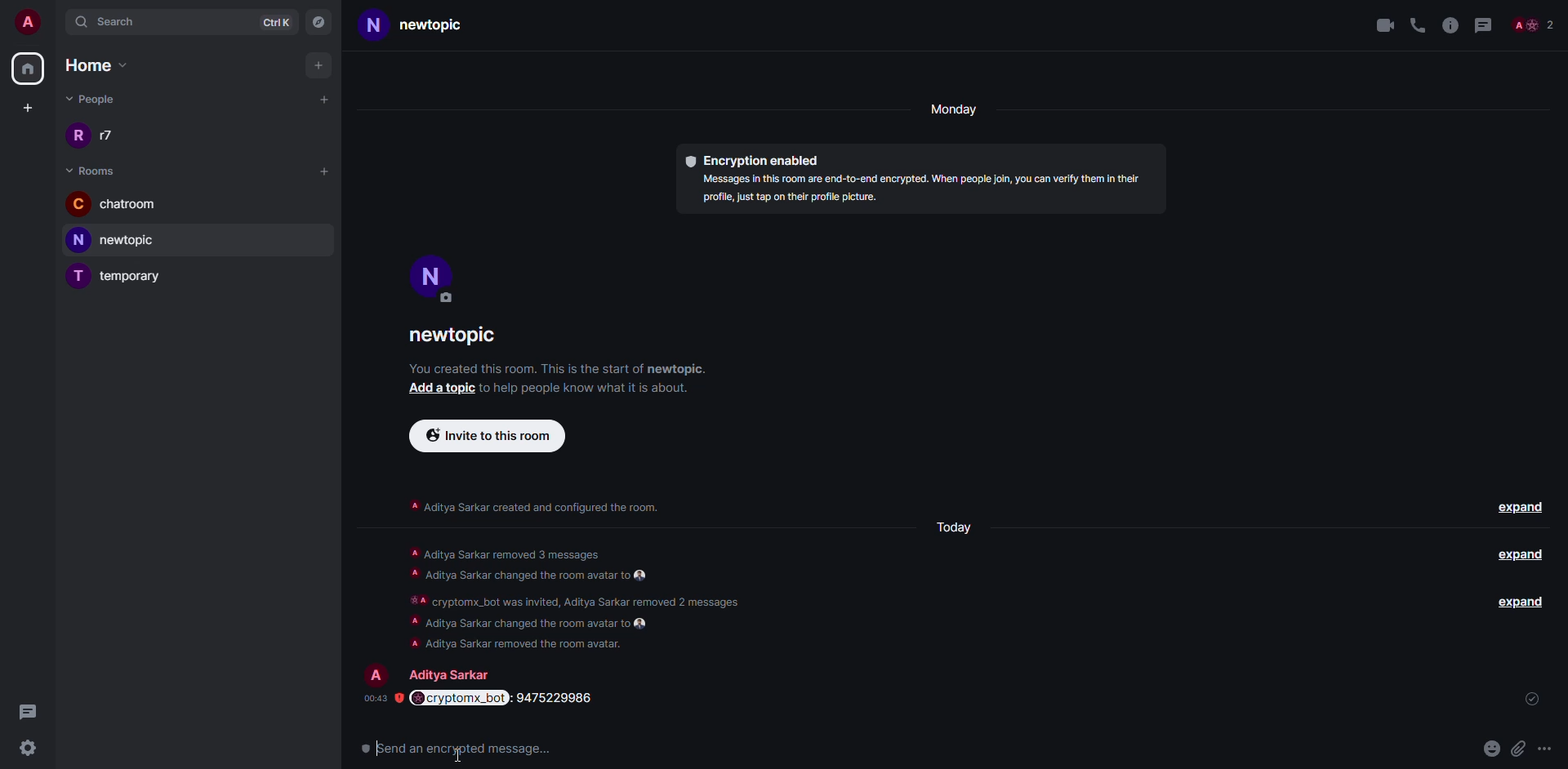 Image resolution: width=1568 pixels, height=769 pixels. Describe the element at coordinates (572, 698) in the screenshot. I see `Phone number` at that location.